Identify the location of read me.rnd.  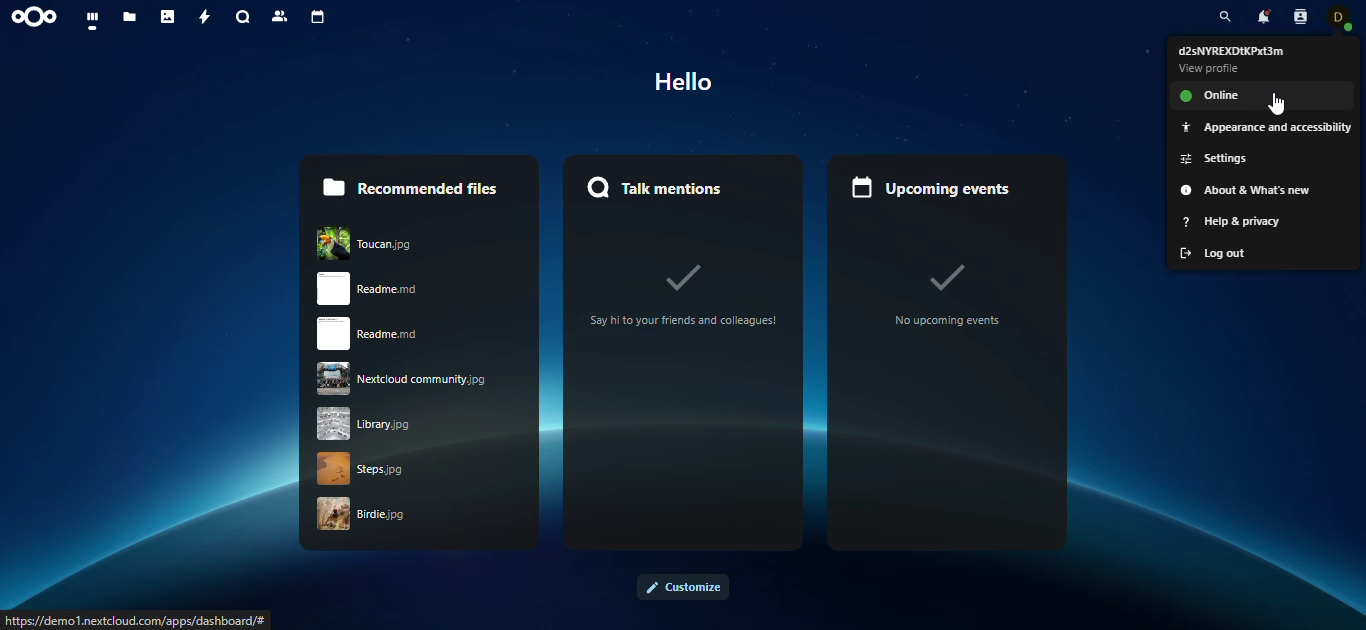
(402, 288).